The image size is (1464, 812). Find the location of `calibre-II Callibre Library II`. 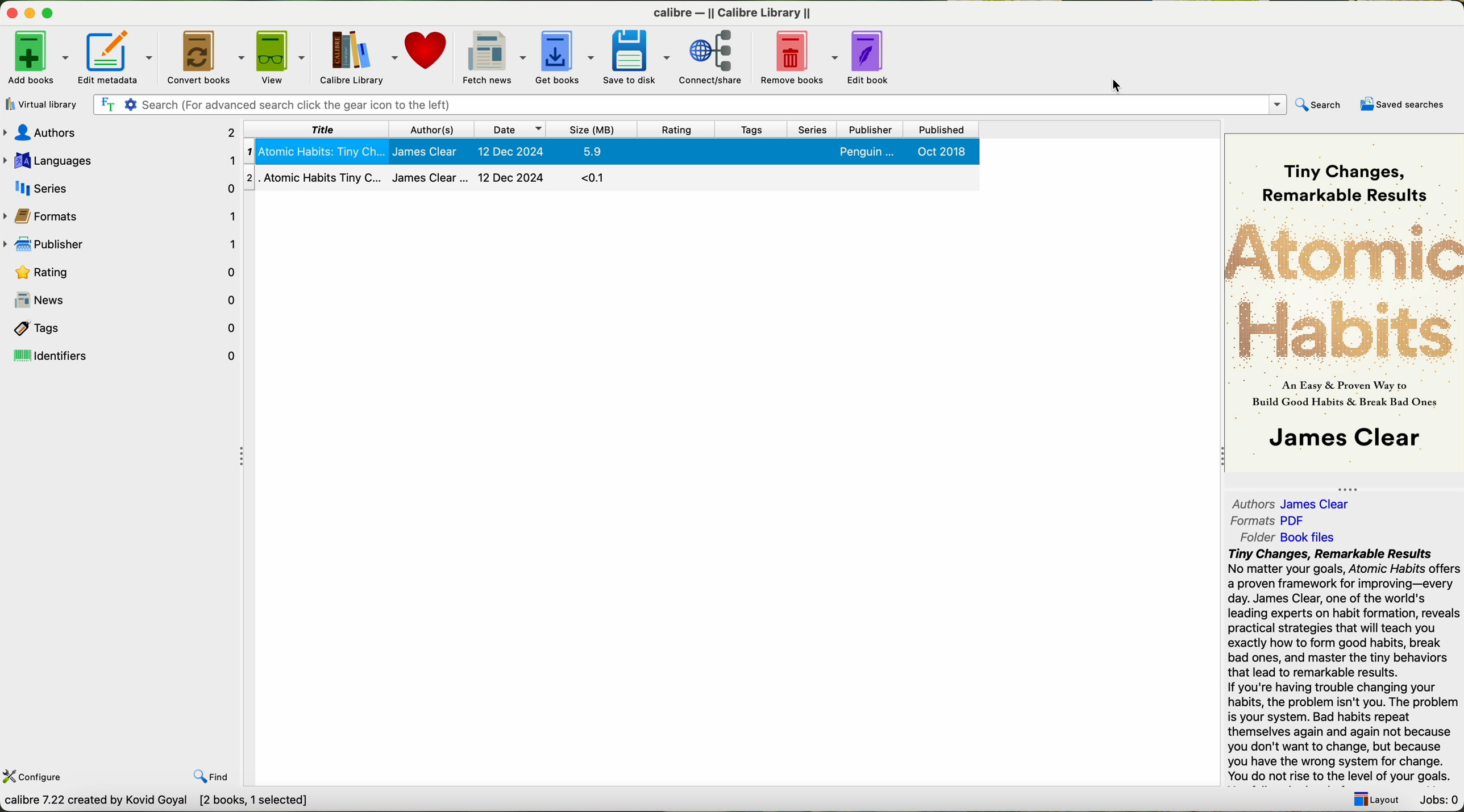

calibre-II Callibre Library II is located at coordinates (728, 11).